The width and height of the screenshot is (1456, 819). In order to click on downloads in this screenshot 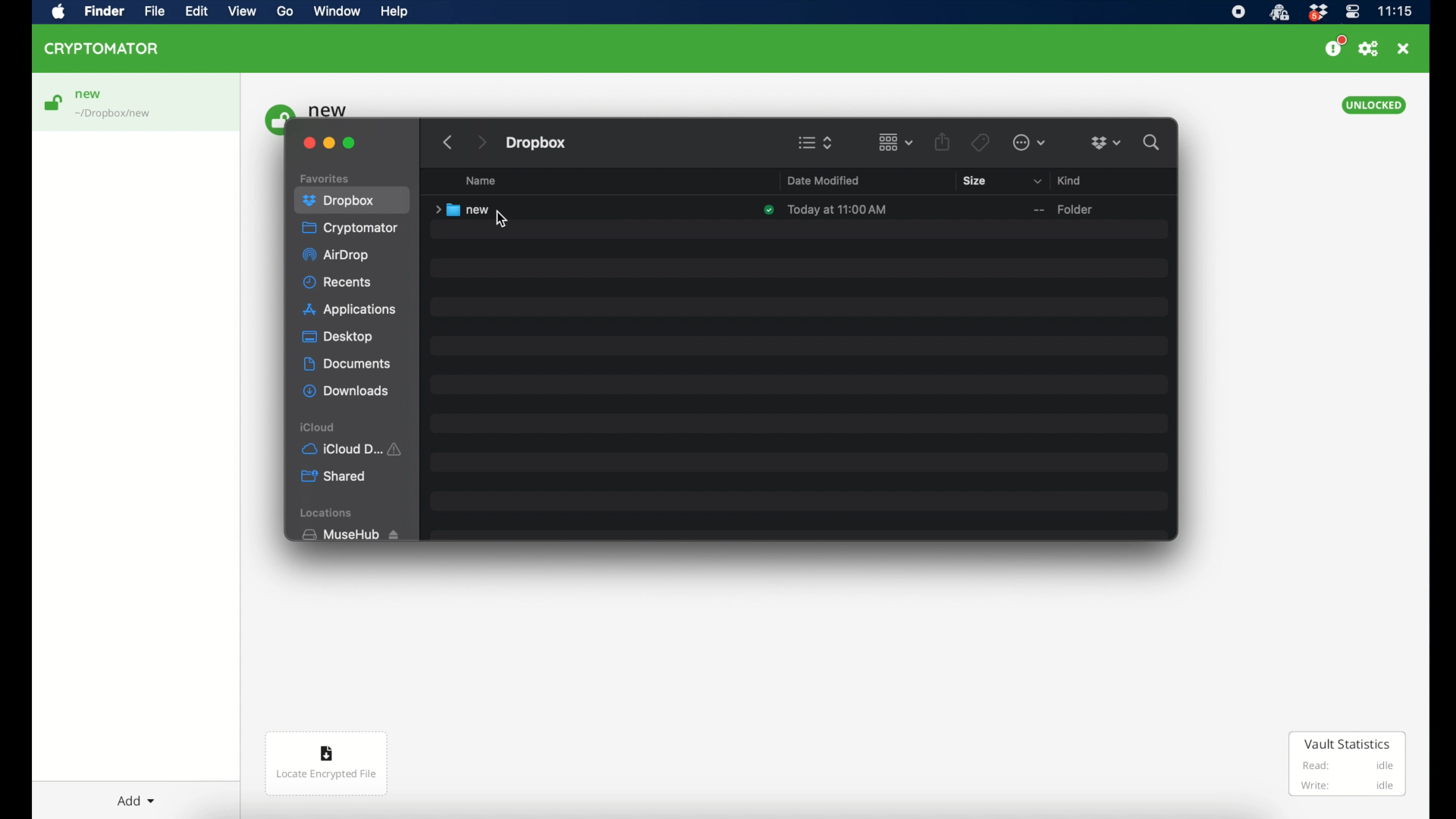, I will do `click(346, 391)`.